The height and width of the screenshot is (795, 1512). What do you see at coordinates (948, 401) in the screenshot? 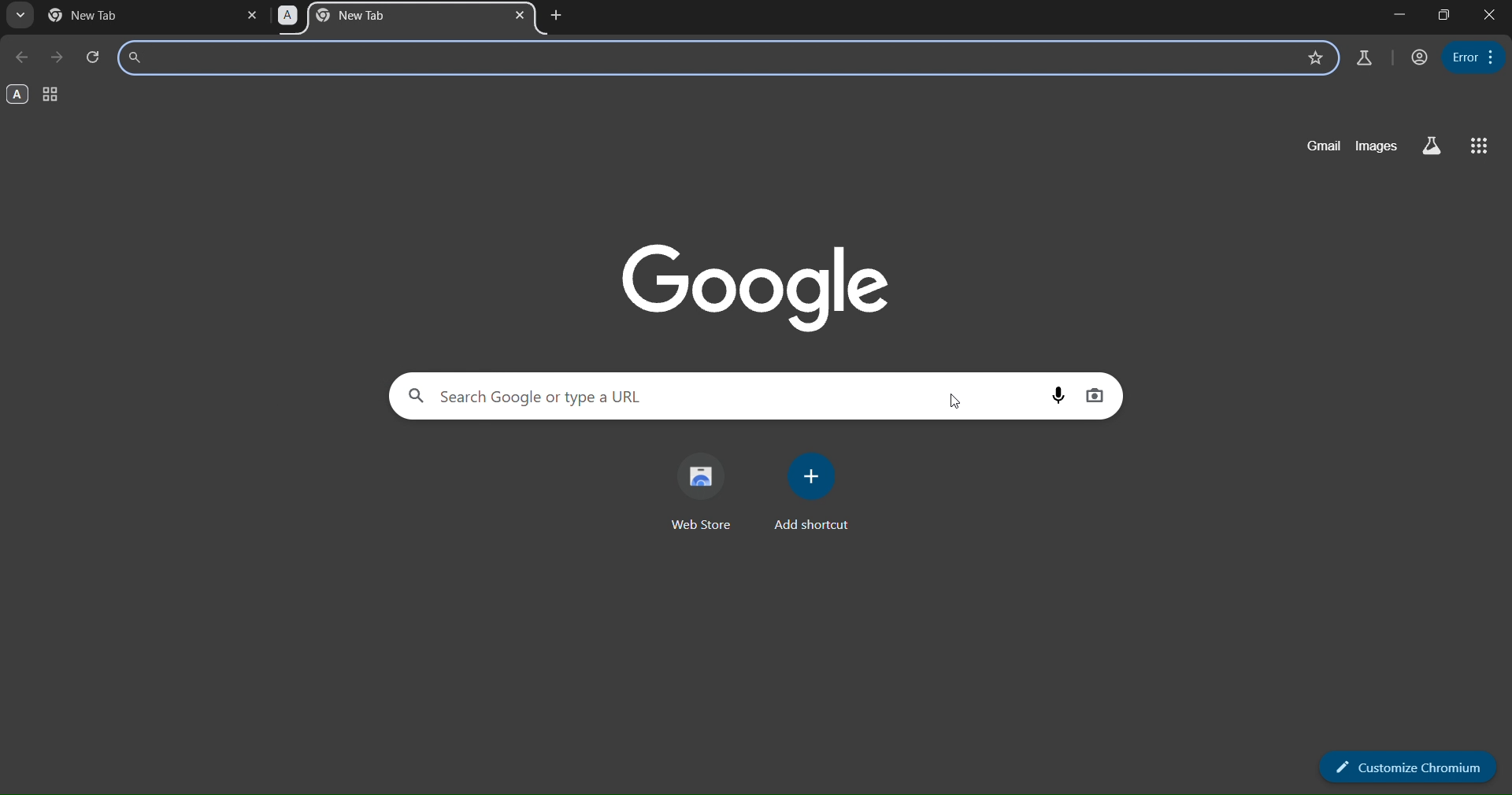
I see `cursor` at bounding box center [948, 401].